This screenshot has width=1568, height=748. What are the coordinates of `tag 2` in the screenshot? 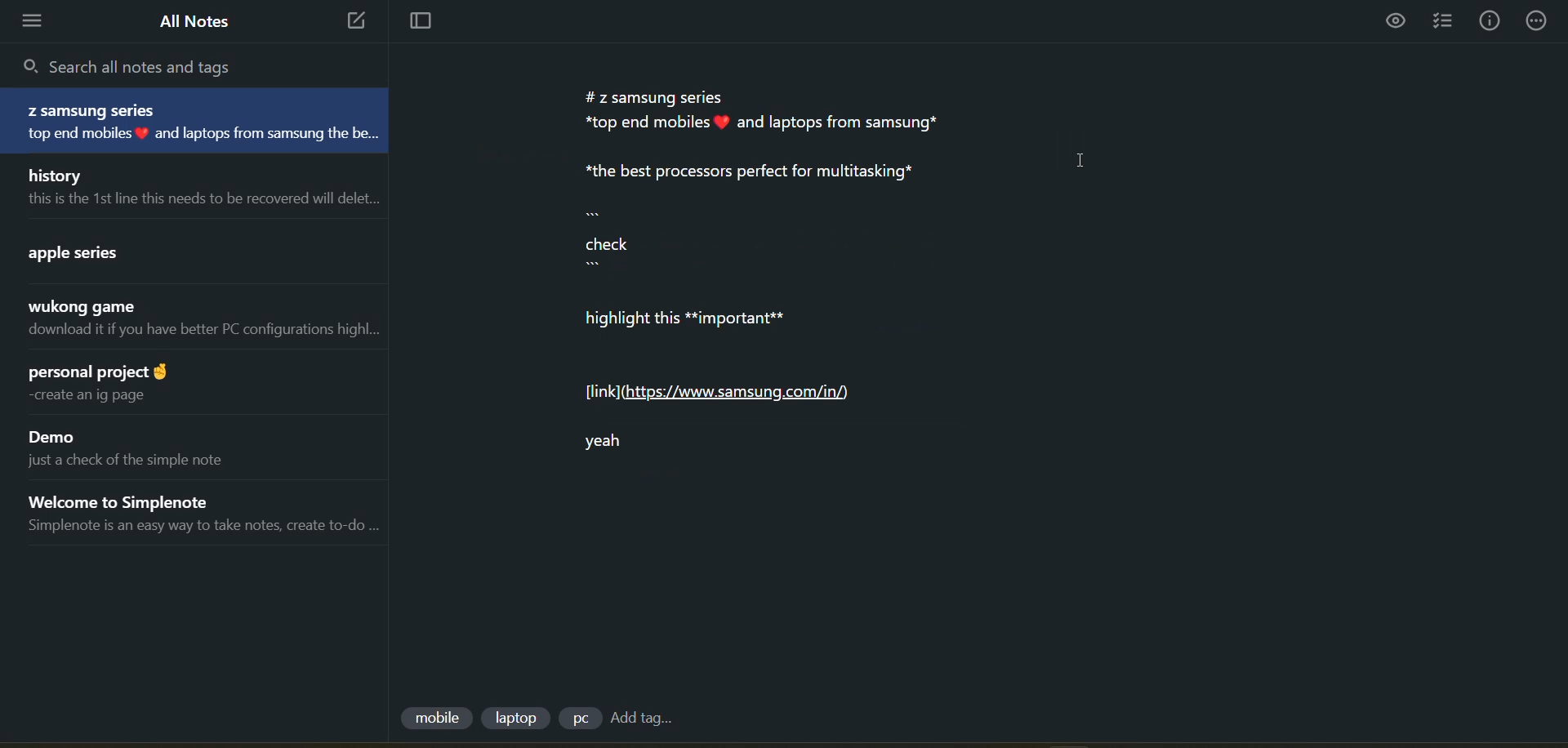 It's located at (519, 718).